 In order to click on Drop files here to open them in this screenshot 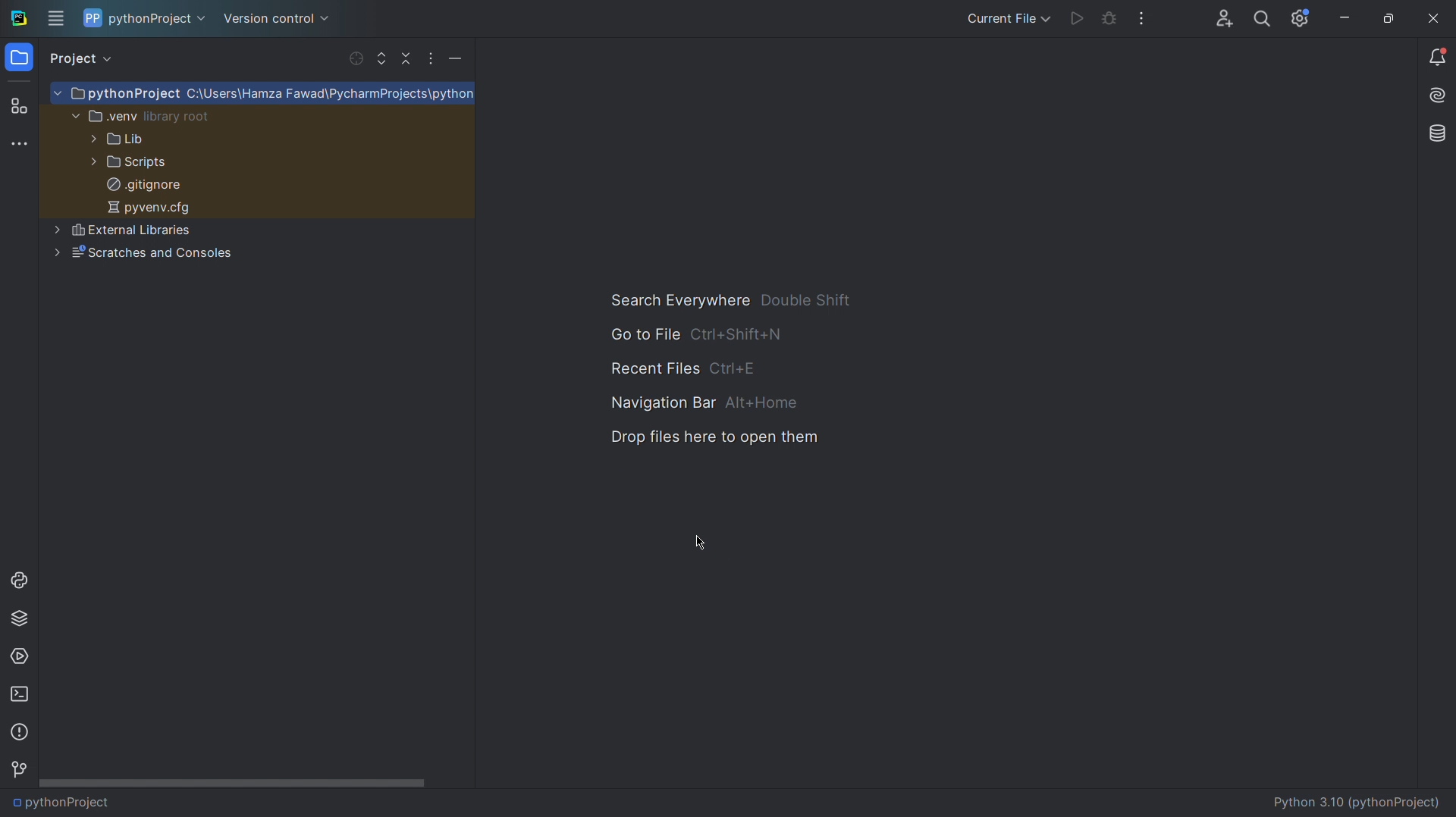, I will do `click(715, 441)`.